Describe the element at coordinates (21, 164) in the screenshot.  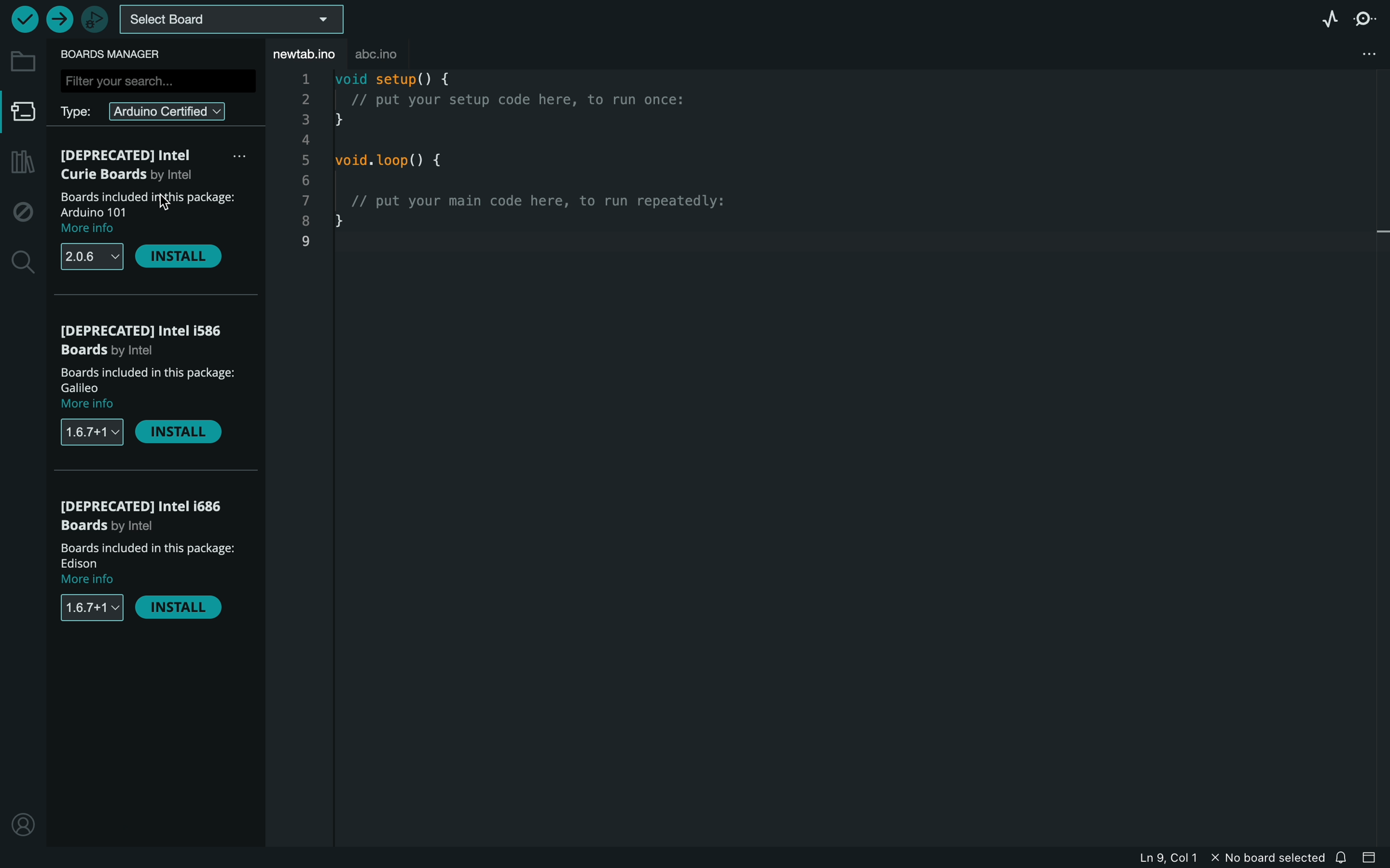
I see `library manager` at that location.